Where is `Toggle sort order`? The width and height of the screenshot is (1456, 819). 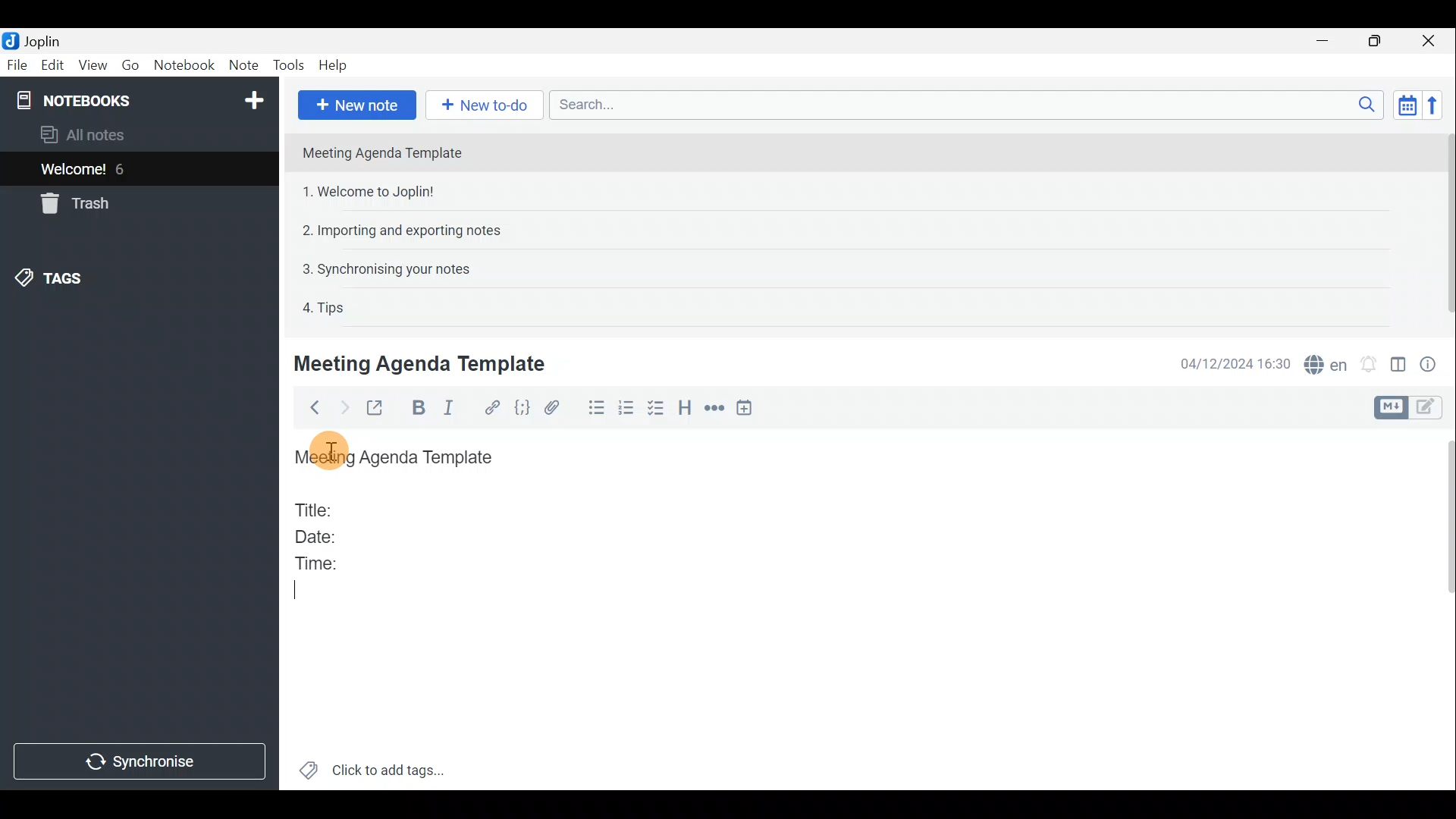
Toggle sort order is located at coordinates (1404, 103).